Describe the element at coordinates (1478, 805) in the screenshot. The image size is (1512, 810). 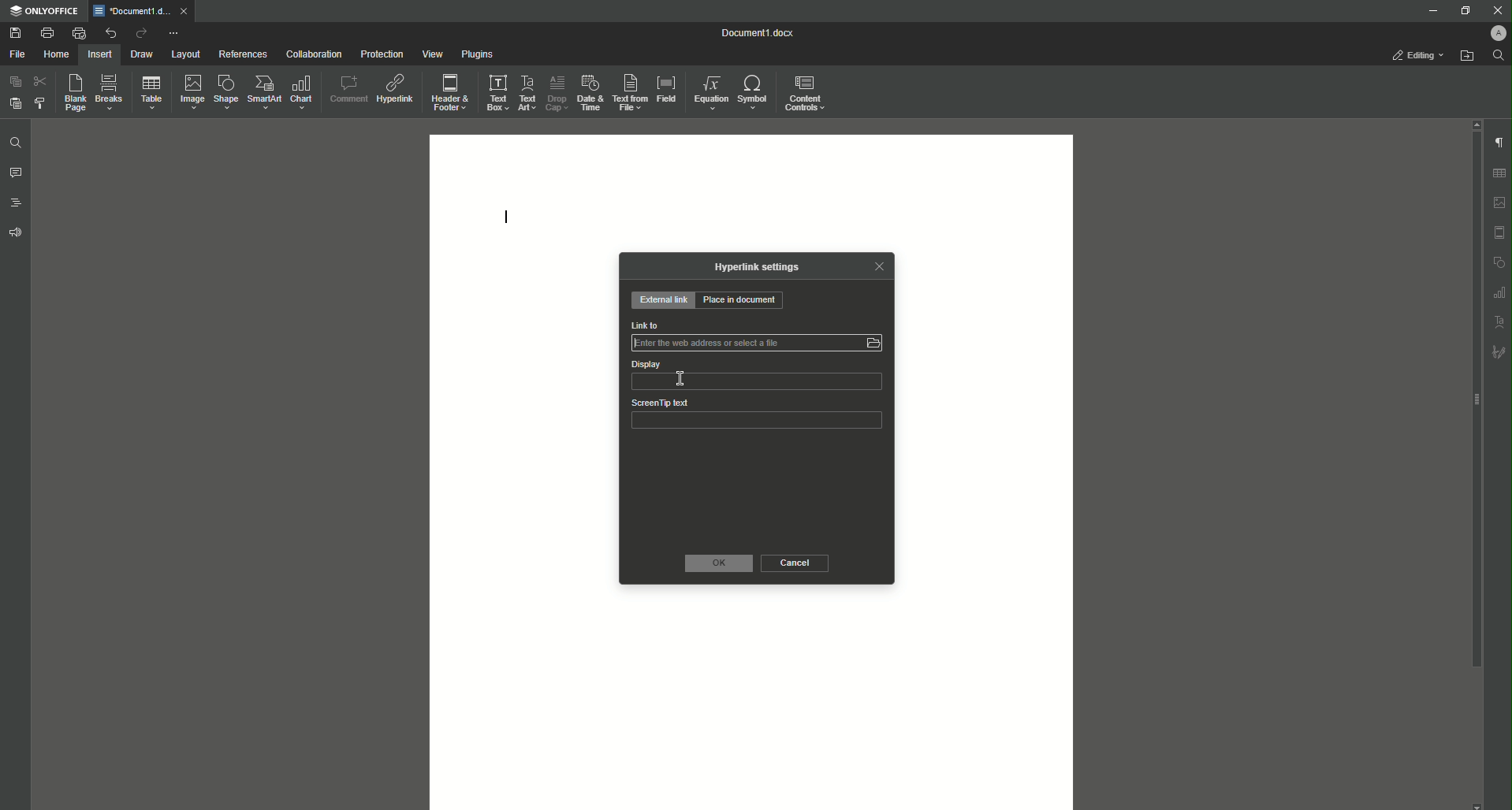
I see `scroll down` at that location.